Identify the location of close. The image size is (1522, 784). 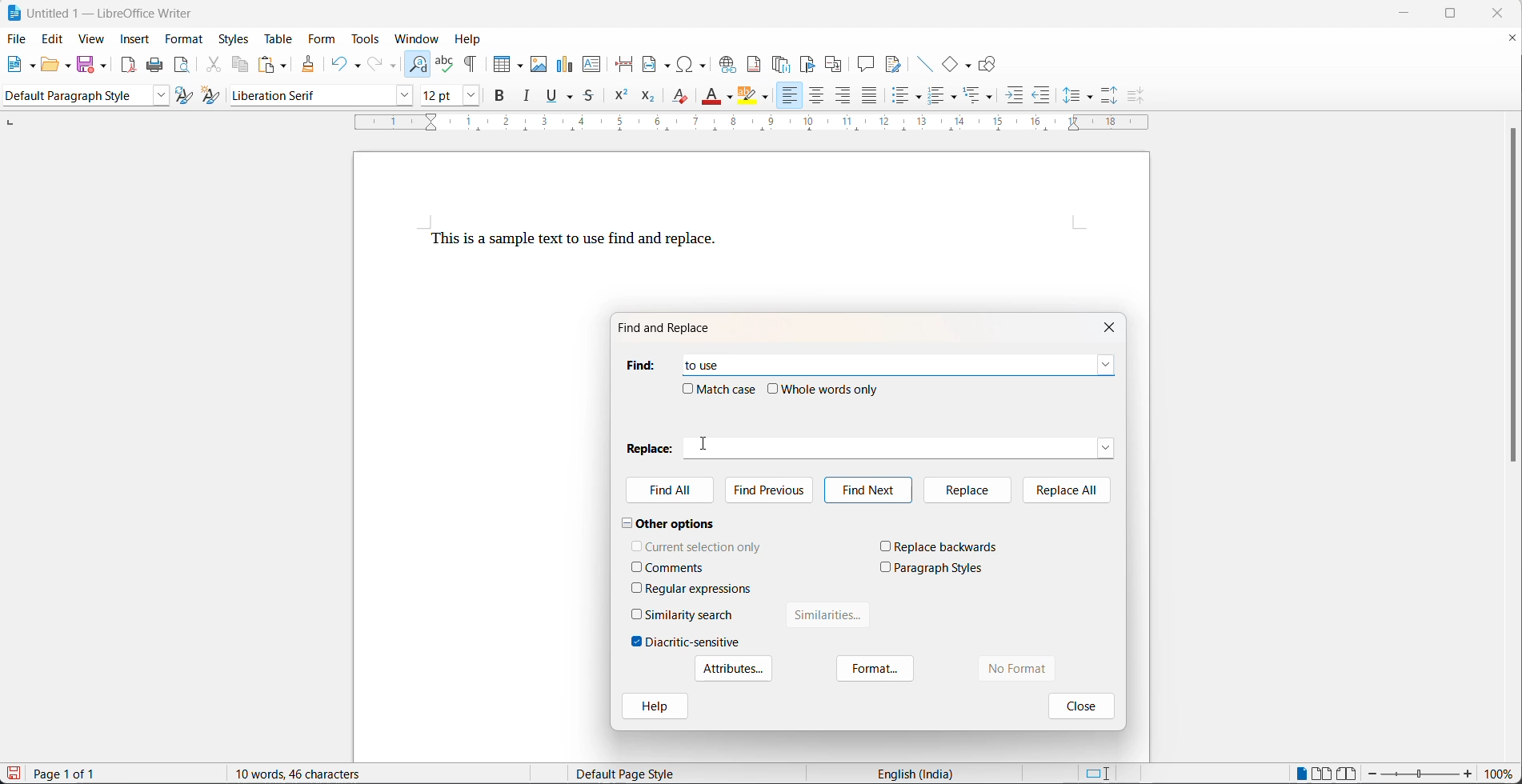
(1113, 326).